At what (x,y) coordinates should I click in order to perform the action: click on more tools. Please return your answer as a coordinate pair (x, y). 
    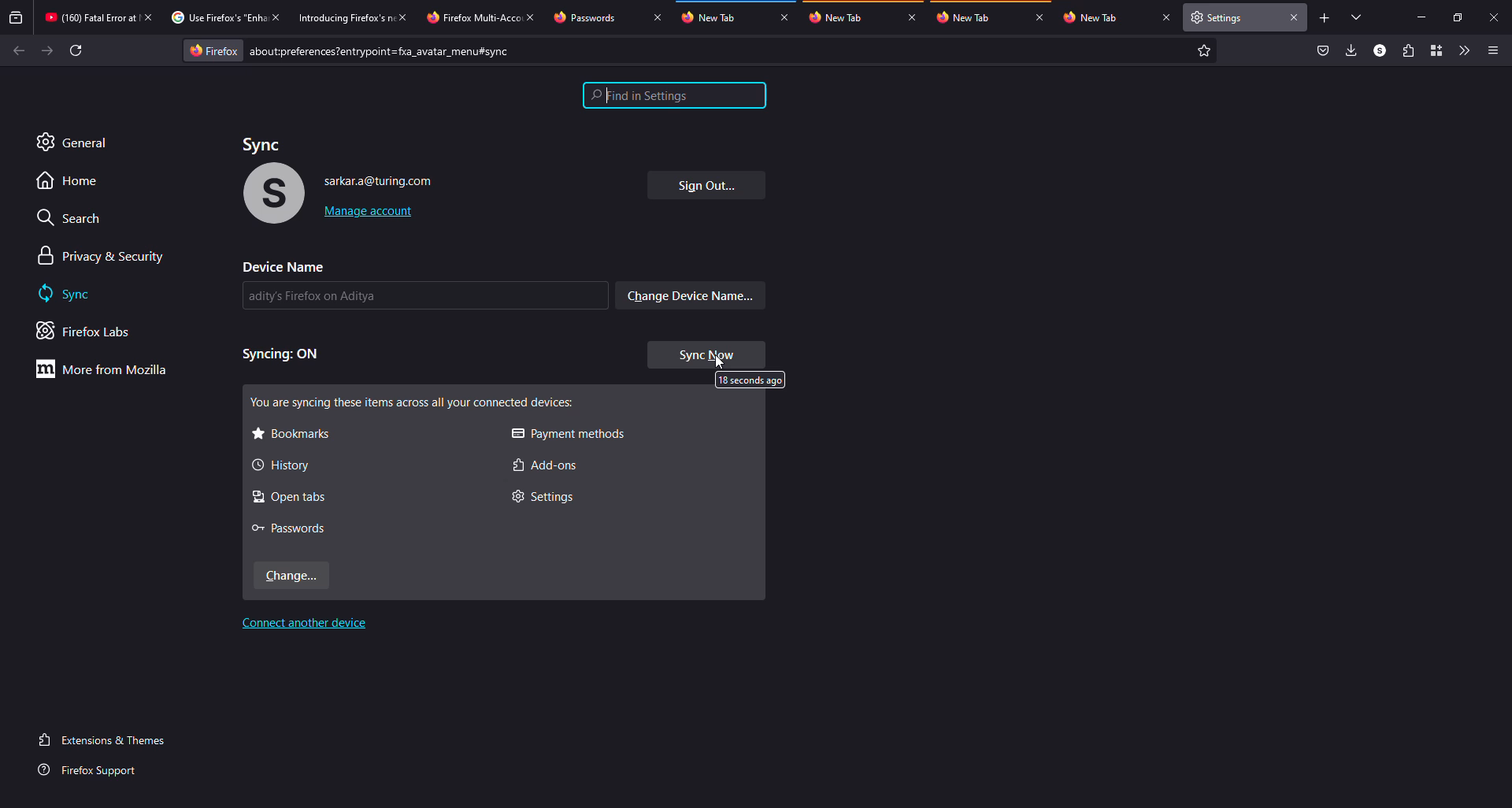
    Looking at the image, I should click on (1463, 49).